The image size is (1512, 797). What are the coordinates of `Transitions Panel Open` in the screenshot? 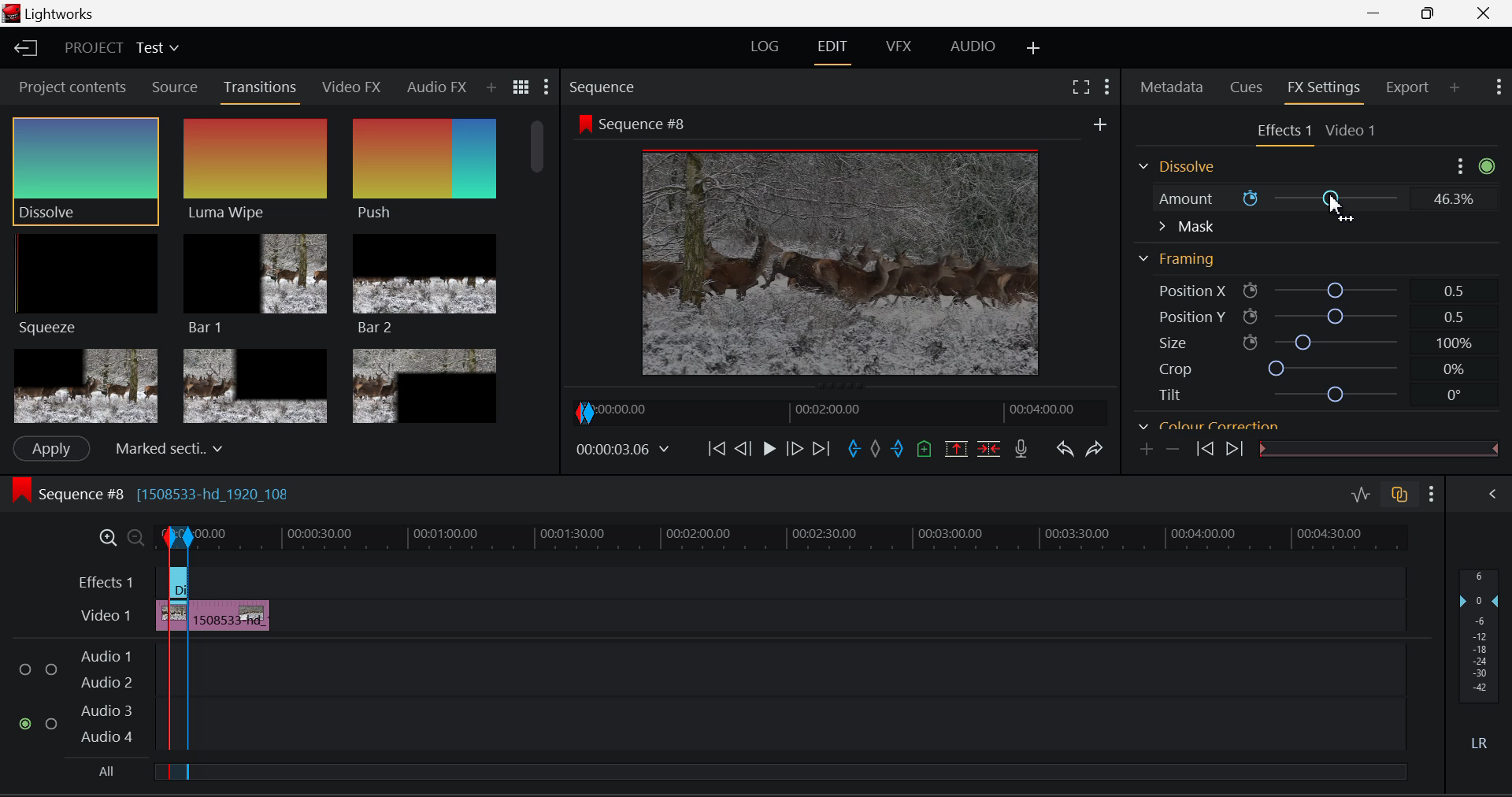 It's located at (261, 91).